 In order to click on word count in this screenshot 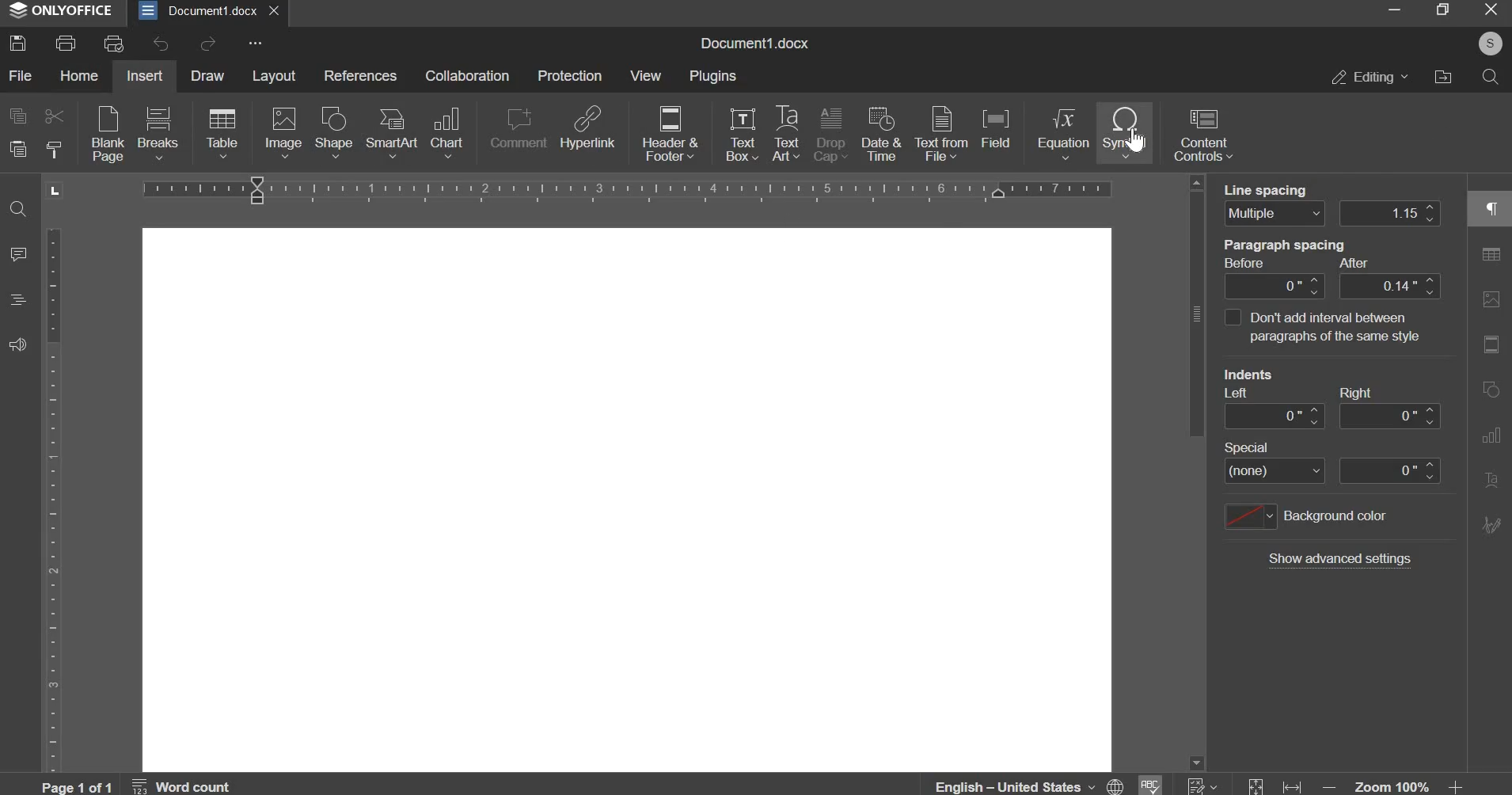, I will do `click(183, 785)`.